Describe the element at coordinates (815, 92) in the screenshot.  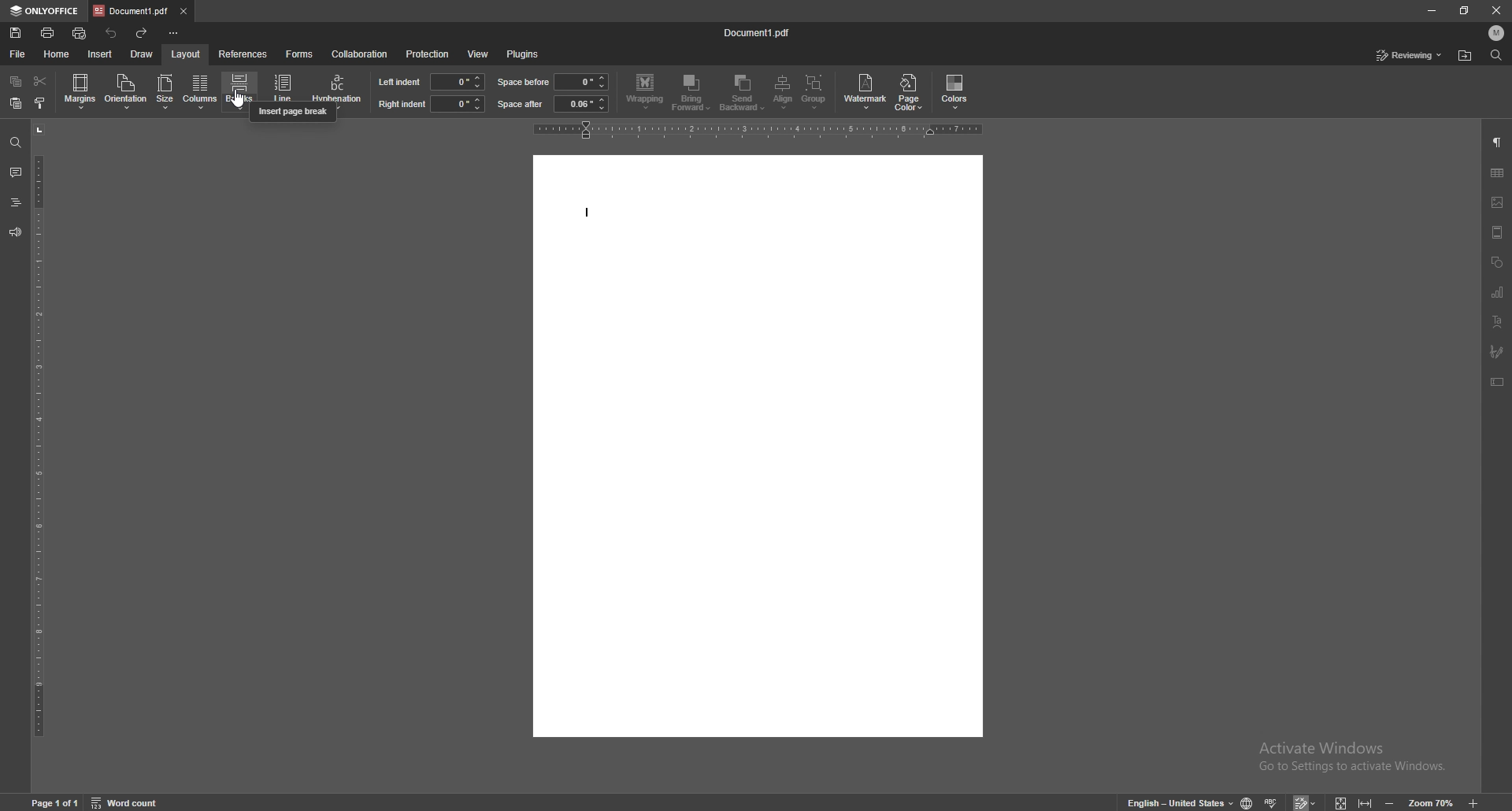
I see `group` at that location.